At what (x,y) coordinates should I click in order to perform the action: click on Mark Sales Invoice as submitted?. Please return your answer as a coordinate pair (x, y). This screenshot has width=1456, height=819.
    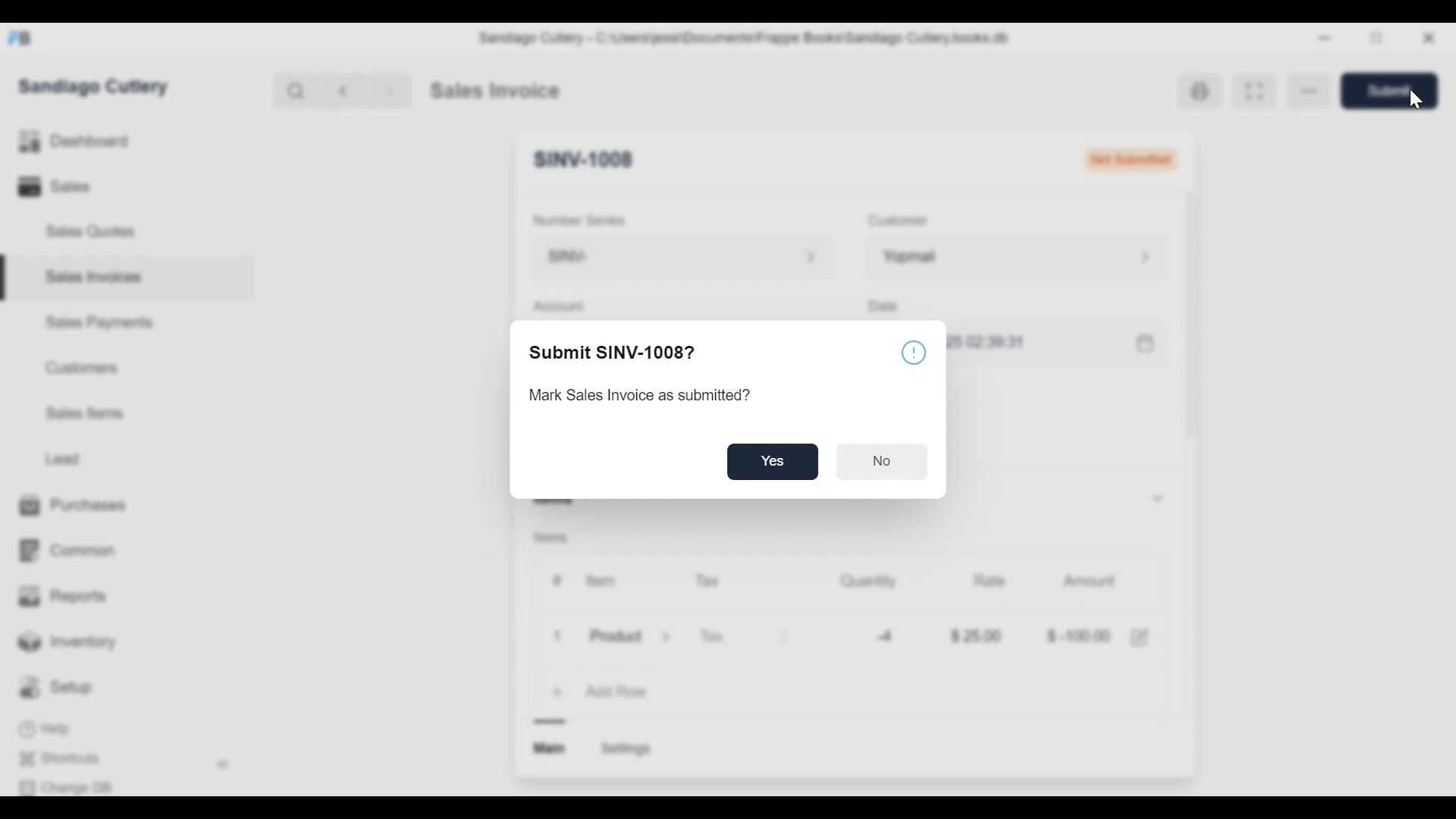
    Looking at the image, I should click on (641, 393).